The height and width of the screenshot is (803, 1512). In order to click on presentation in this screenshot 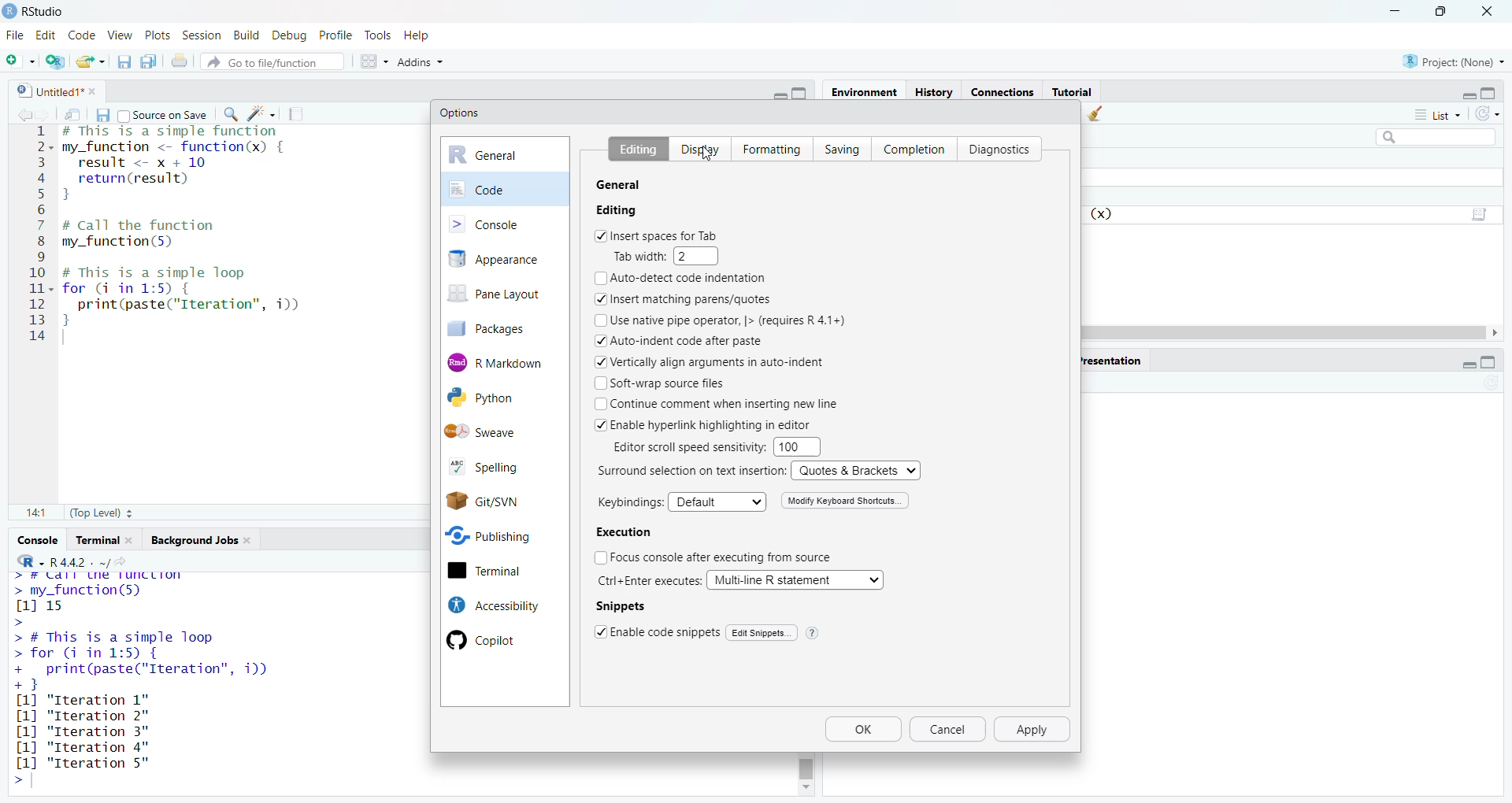, I will do `click(1114, 359)`.